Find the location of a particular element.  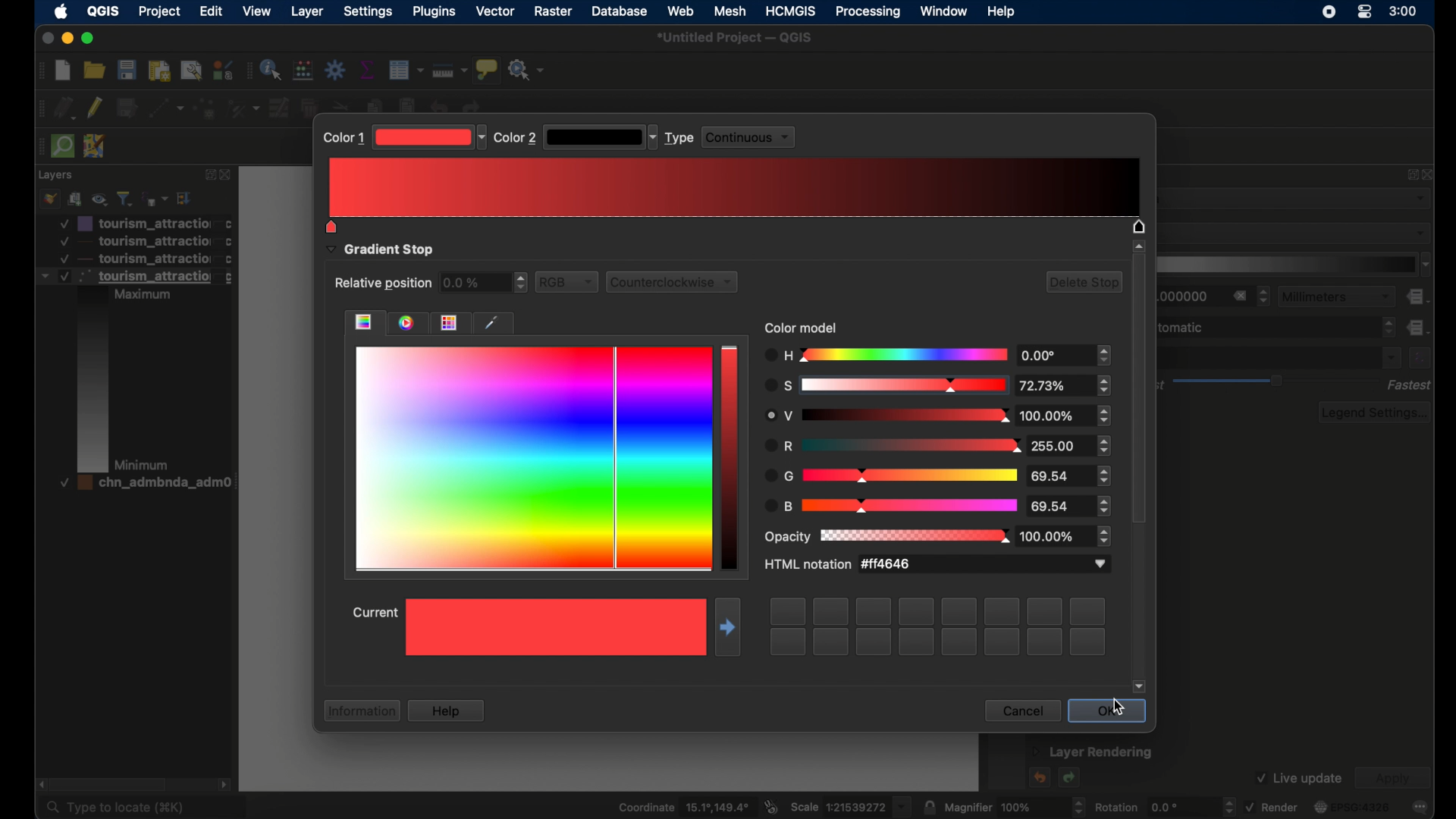

time is located at coordinates (1404, 13).